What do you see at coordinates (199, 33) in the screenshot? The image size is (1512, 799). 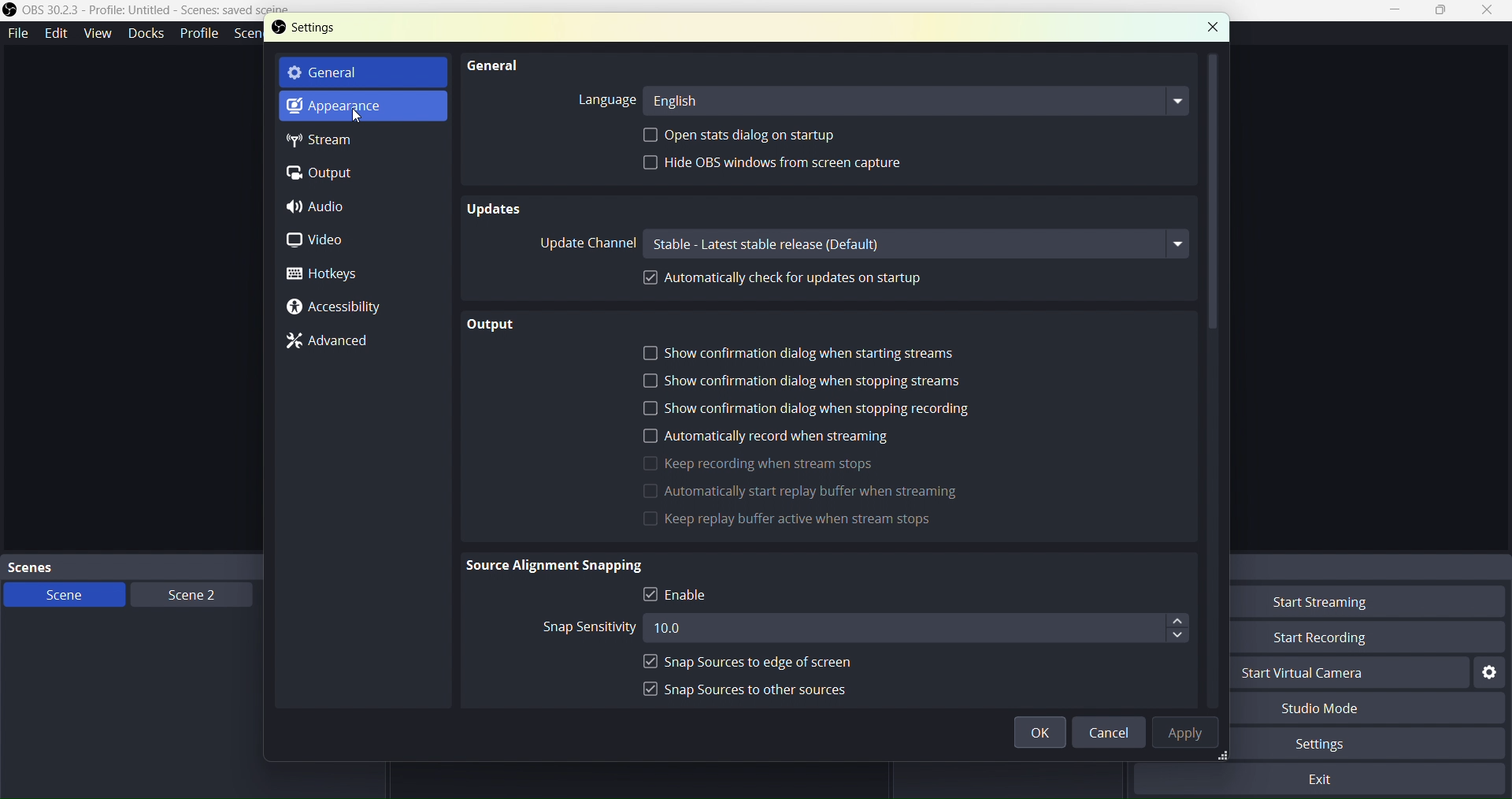 I see `Profile` at bounding box center [199, 33].